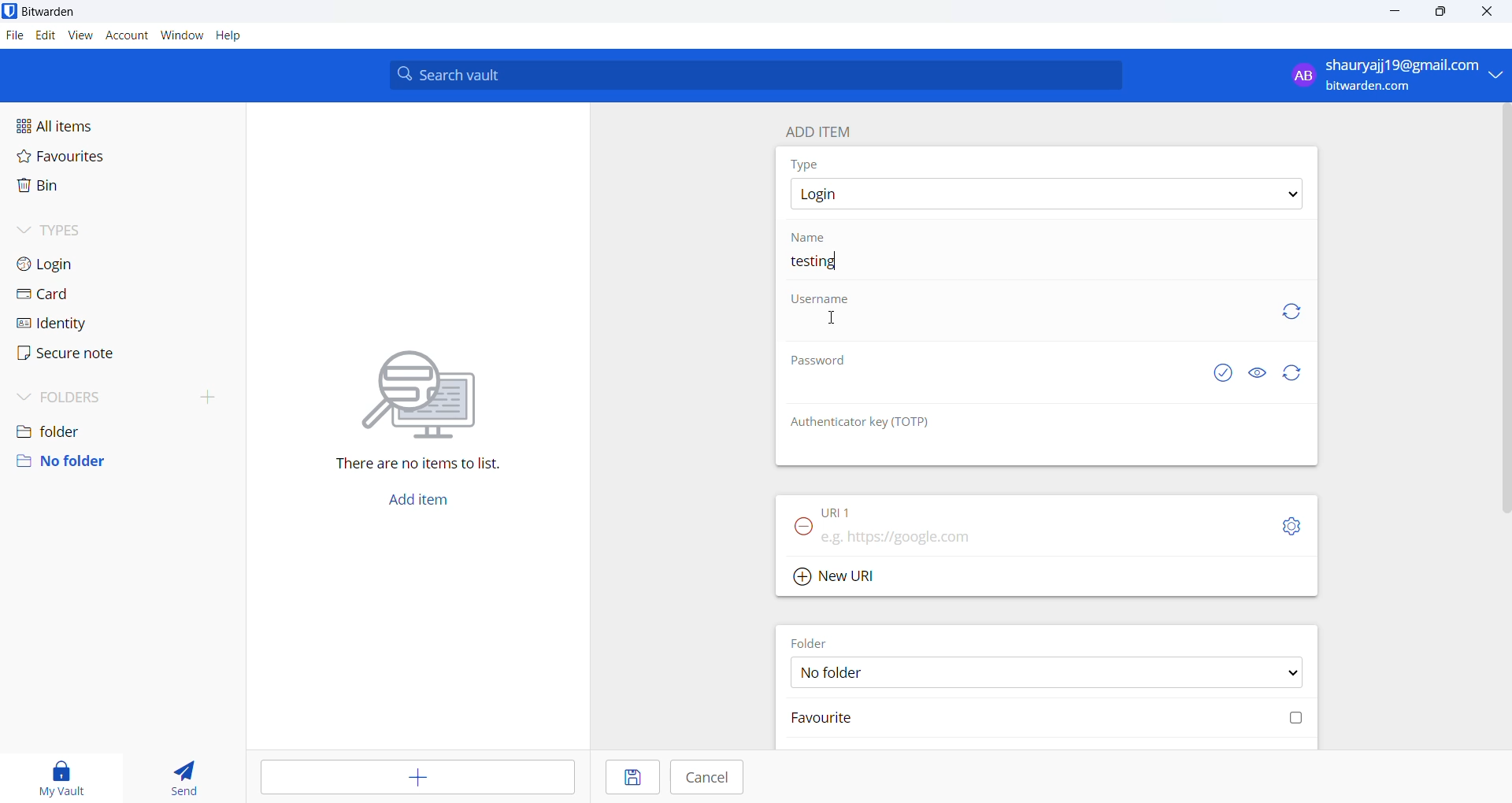  I want to click on URL 1, so click(865, 511).